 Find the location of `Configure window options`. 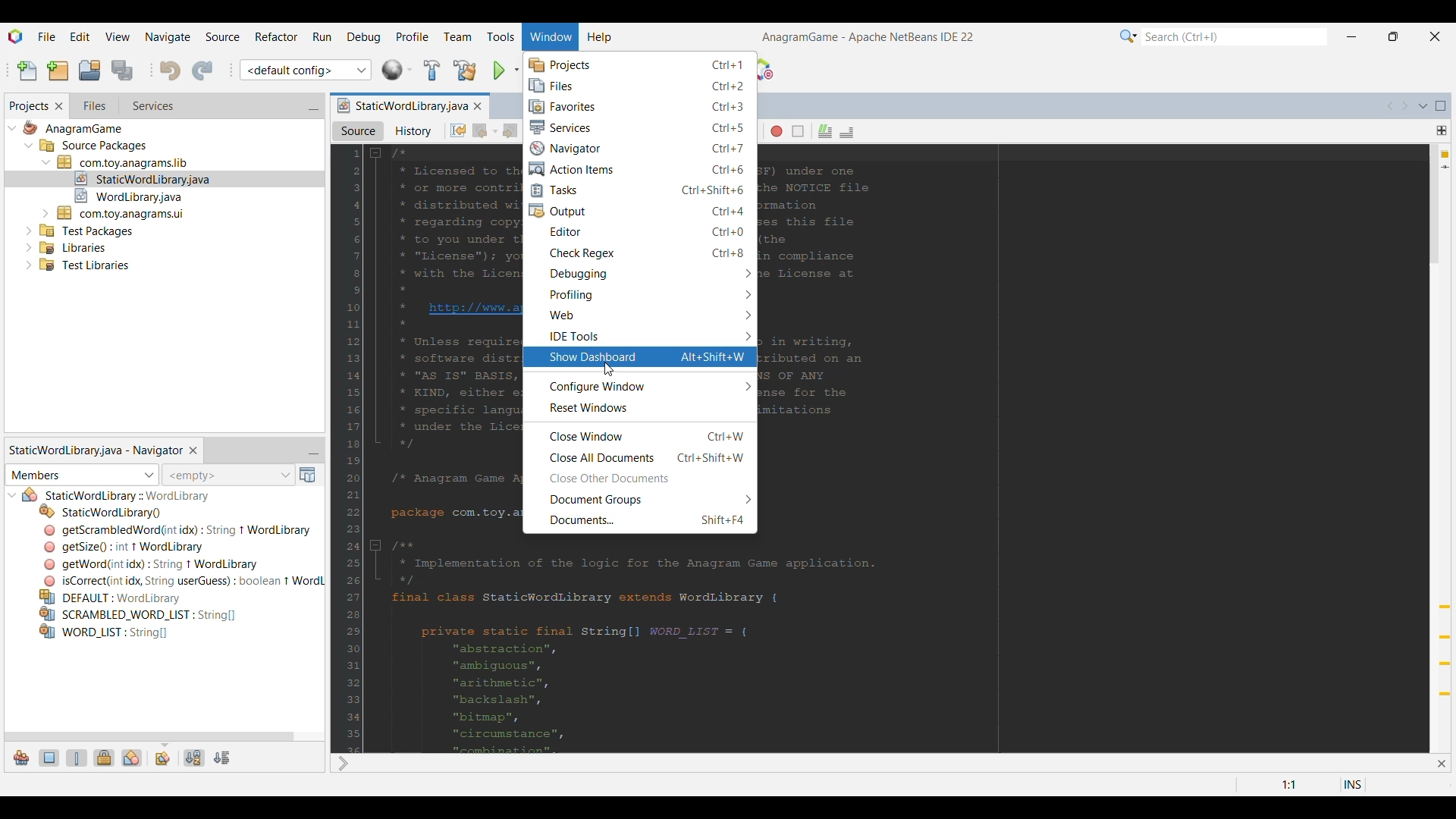

Configure window options is located at coordinates (640, 388).